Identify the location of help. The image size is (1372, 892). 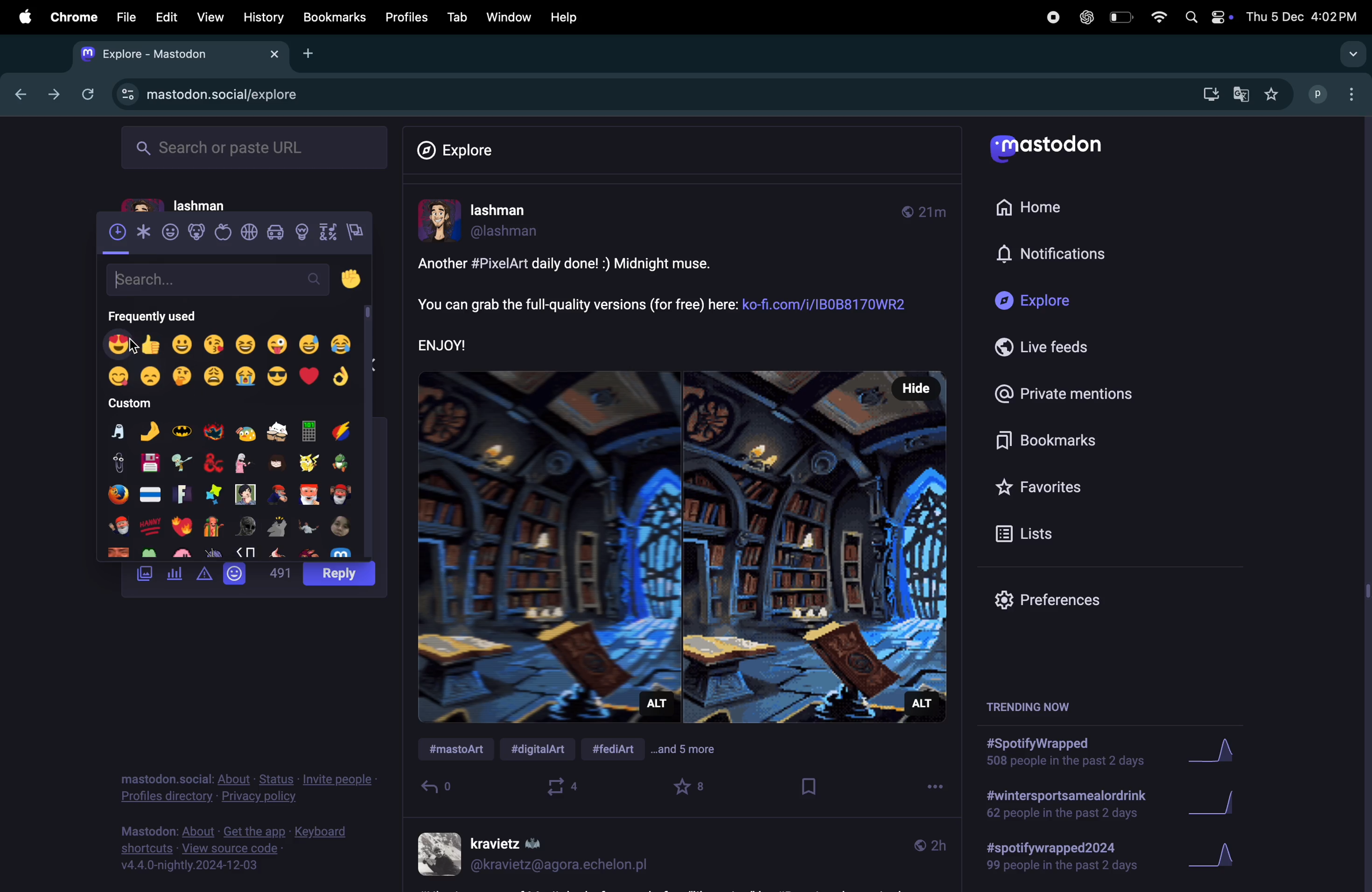
(567, 16).